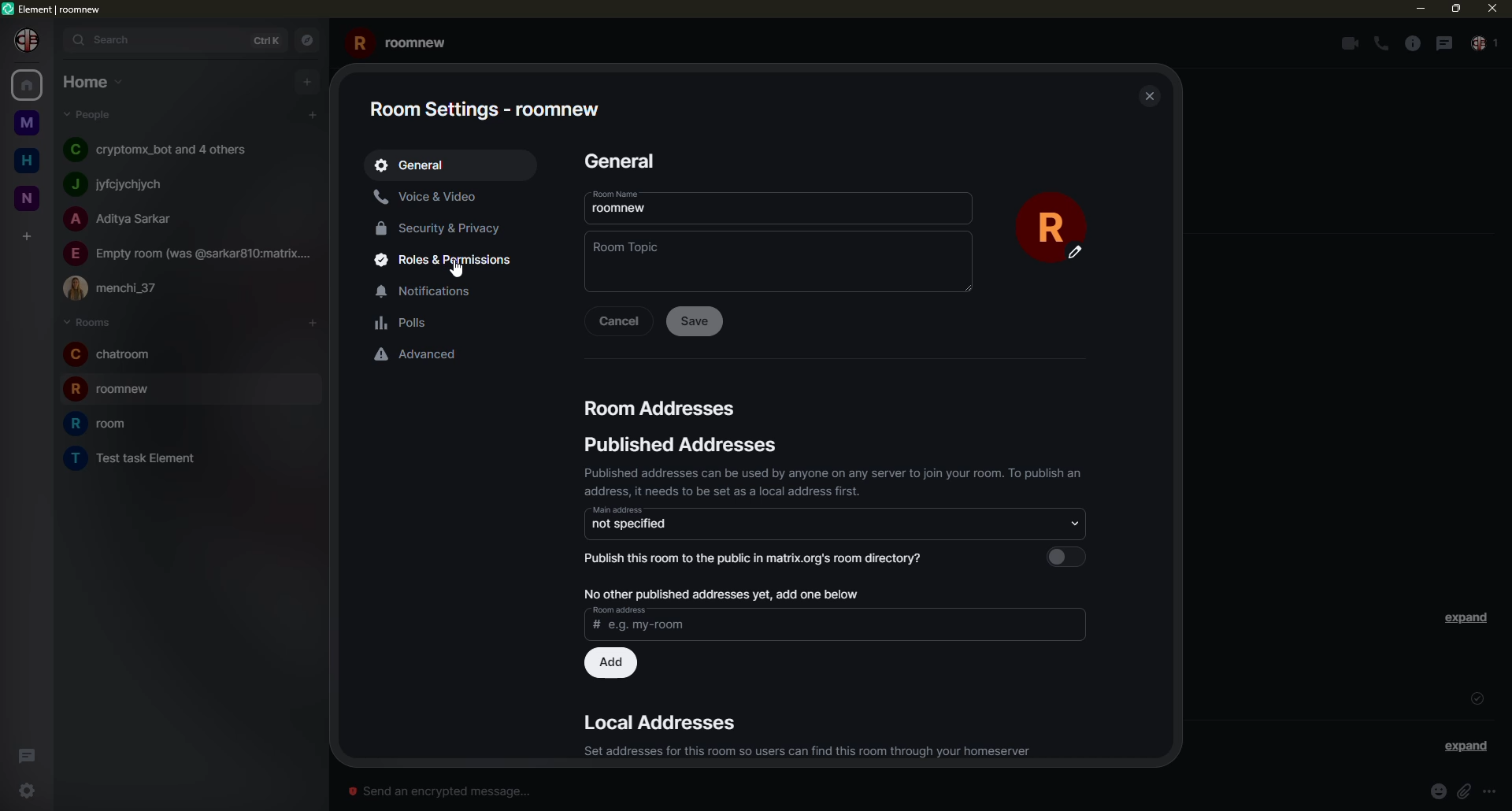 The image size is (1512, 811). What do you see at coordinates (1148, 97) in the screenshot?
I see `close` at bounding box center [1148, 97].